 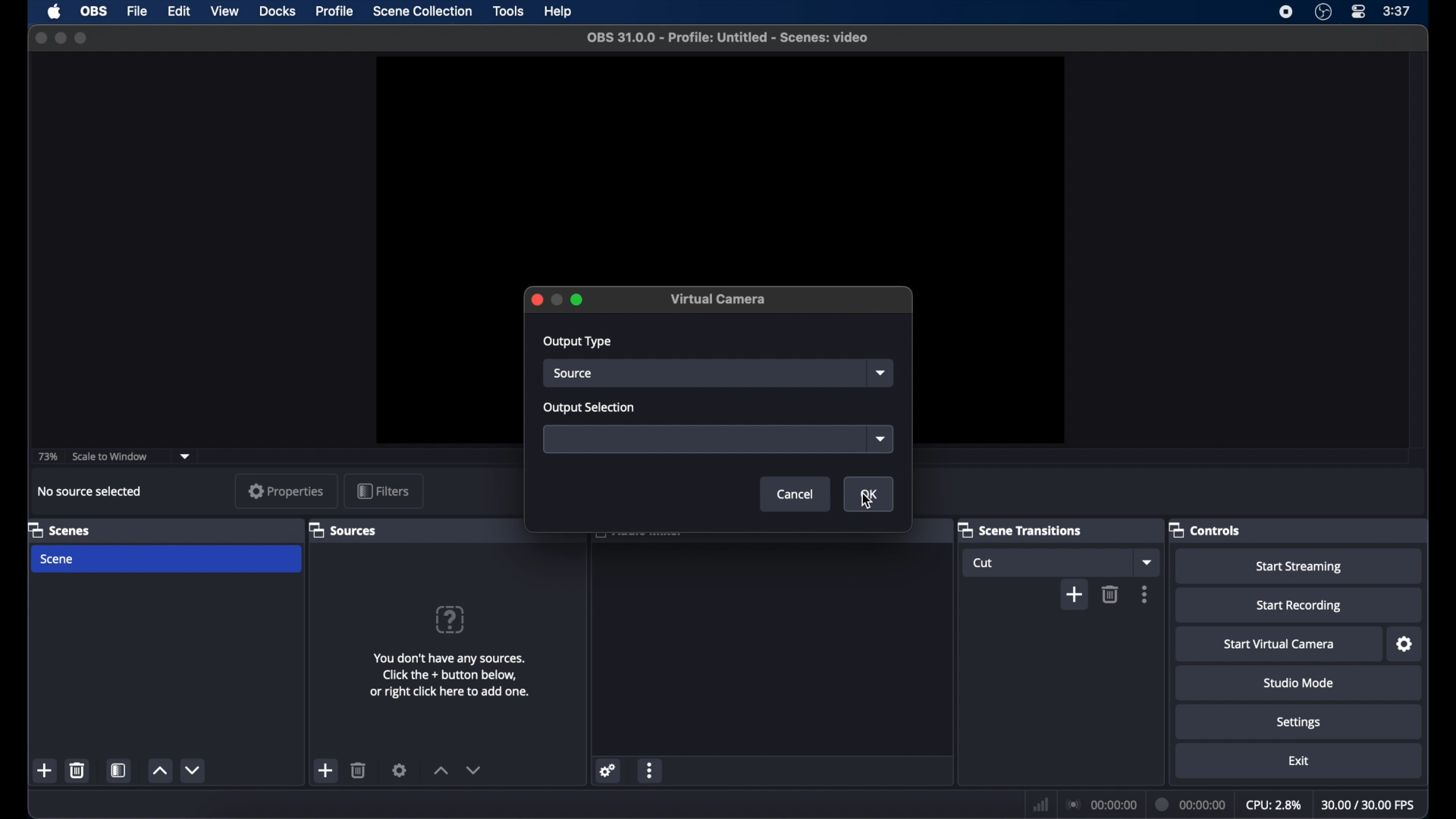 I want to click on 73%, so click(x=46, y=457).